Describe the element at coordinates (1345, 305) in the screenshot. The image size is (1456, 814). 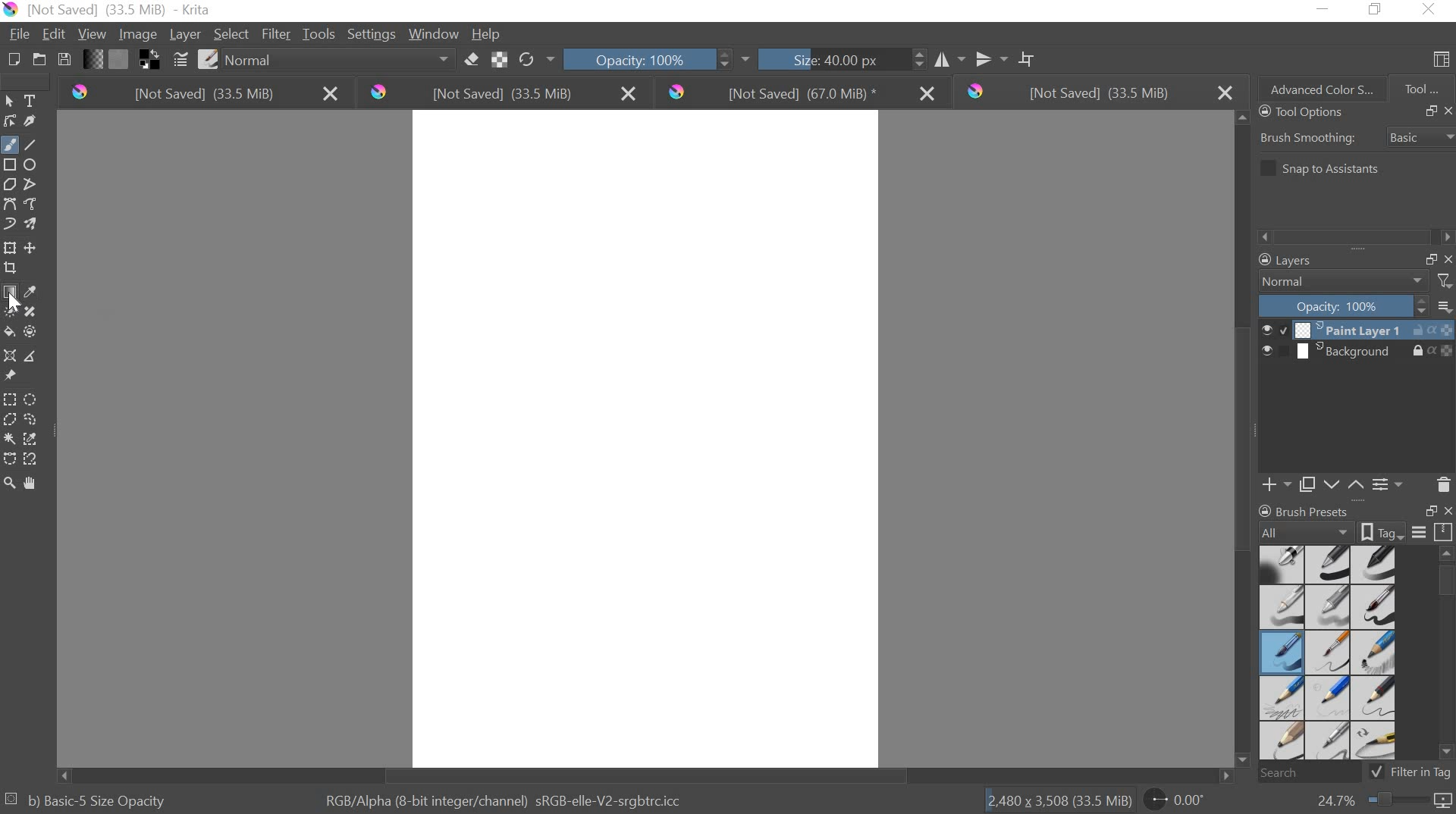
I see `OPACITY` at that location.